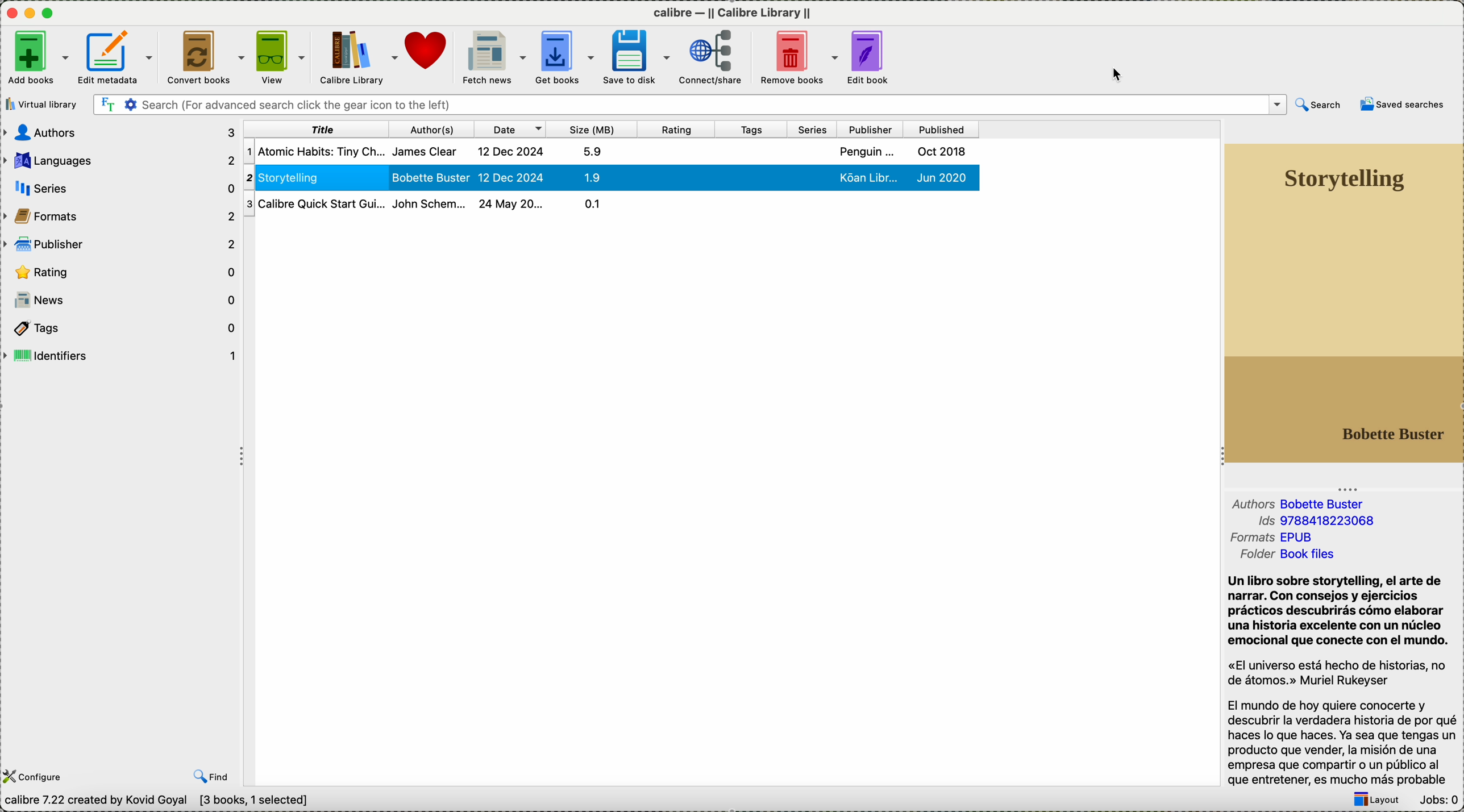 The image size is (1464, 812). Describe the element at coordinates (1345, 488) in the screenshot. I see `Three Dots` at that location.